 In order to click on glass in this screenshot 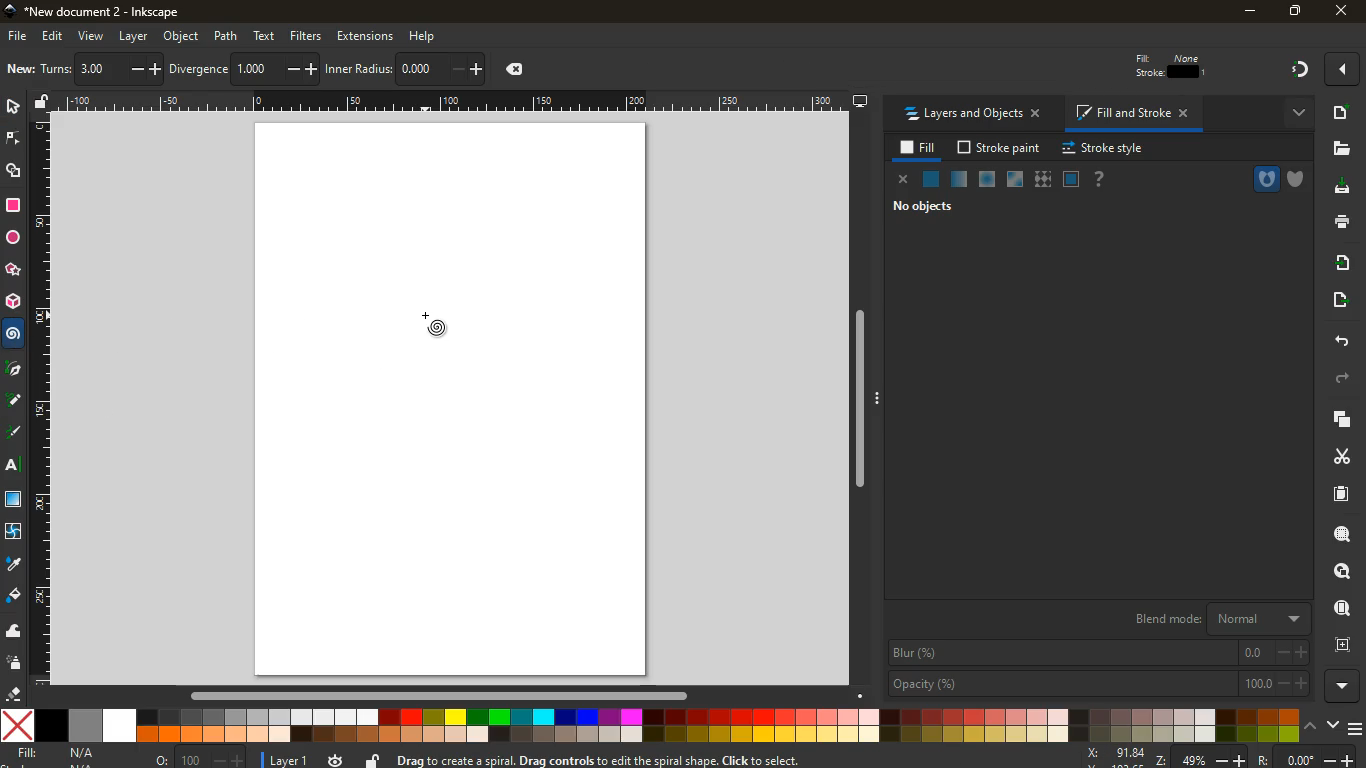, I will do `click(13, 500)`.